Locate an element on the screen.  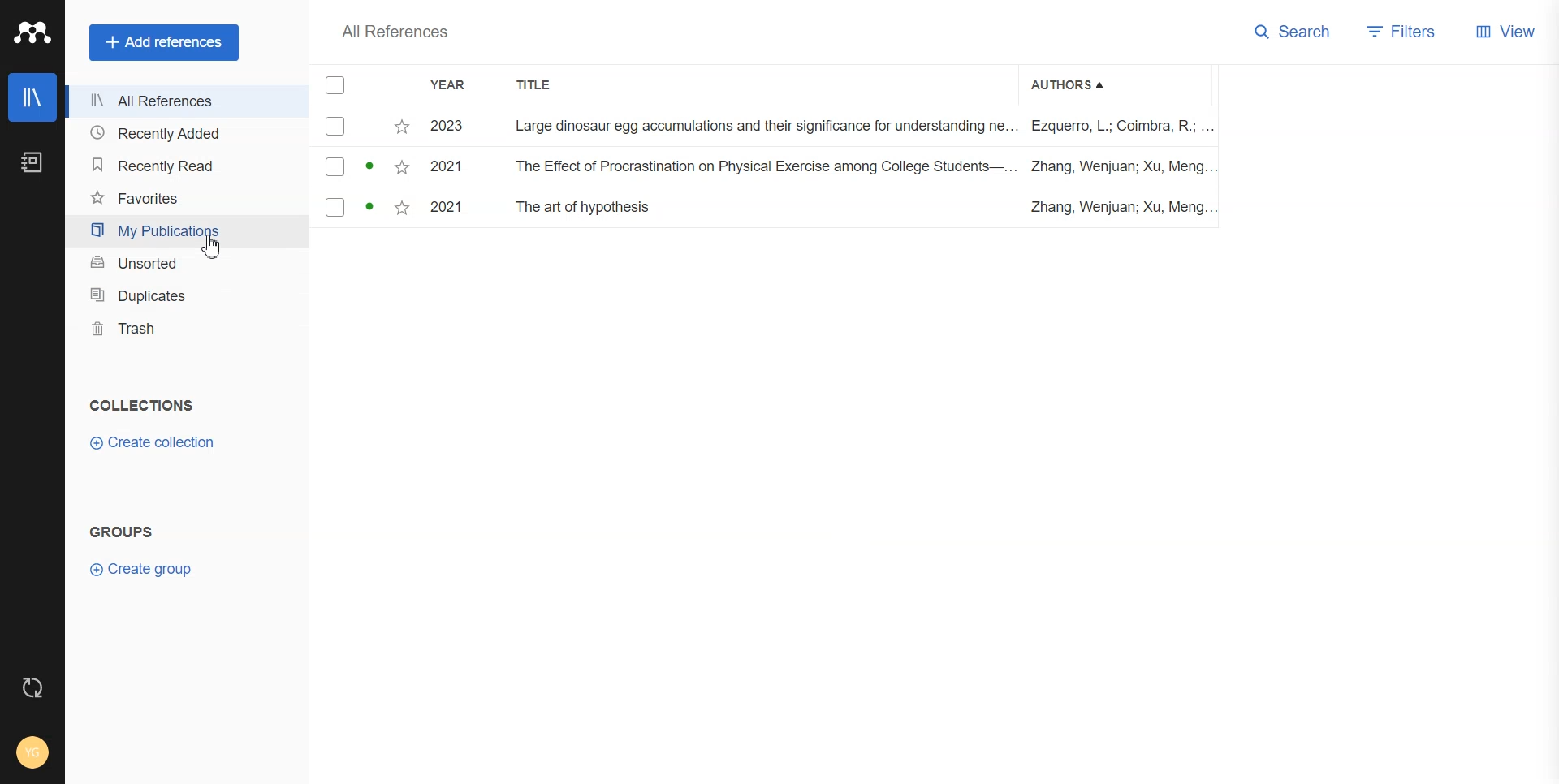
Zhang, Wenjuan; Xu, Meng. is located at coordinates (1114, 207).